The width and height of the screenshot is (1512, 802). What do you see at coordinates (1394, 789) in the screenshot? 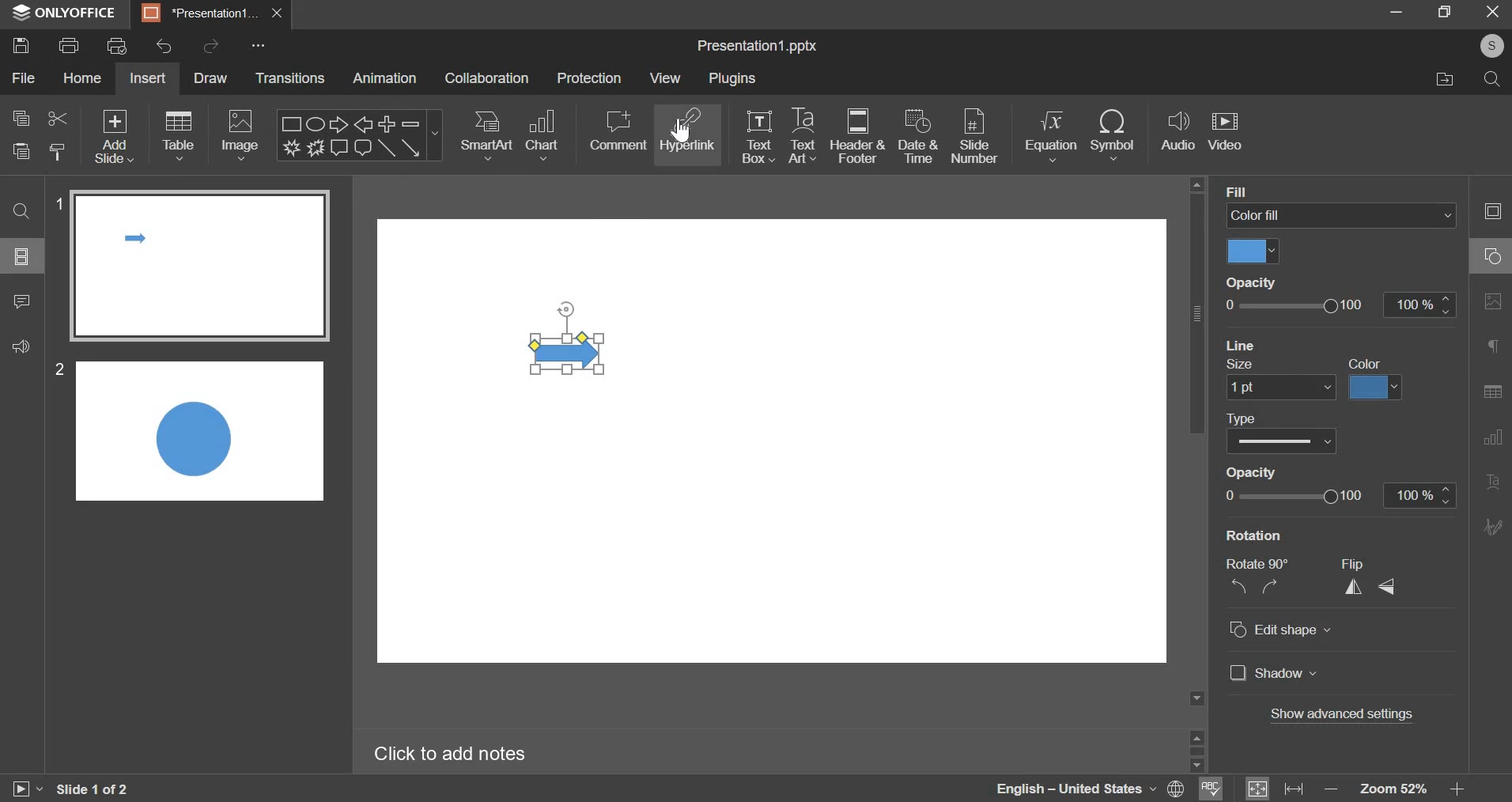
I see `zoom 52%` at bounding box center [1394, 789].